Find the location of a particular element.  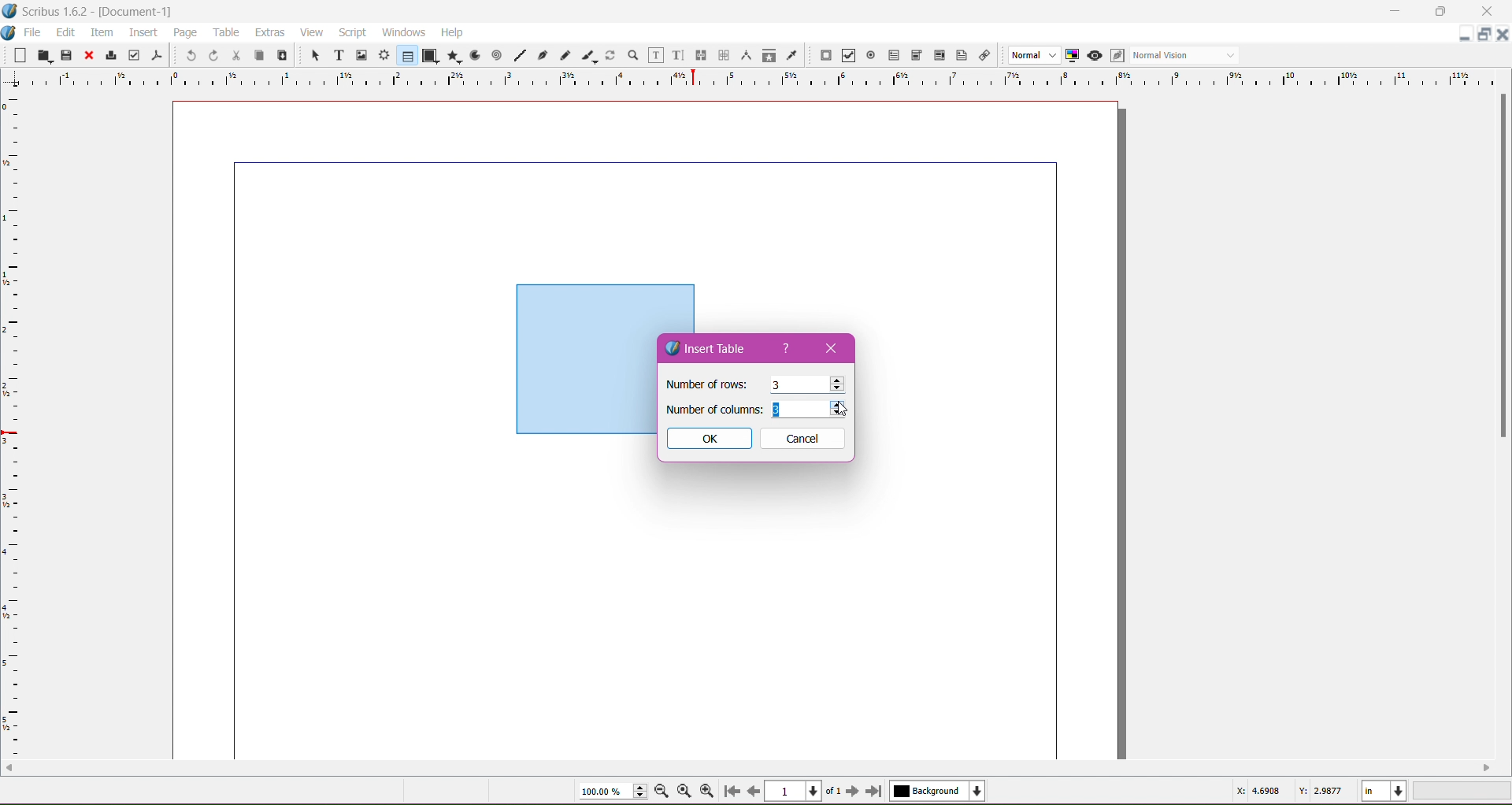

Page is located at coordinates (183, 32).